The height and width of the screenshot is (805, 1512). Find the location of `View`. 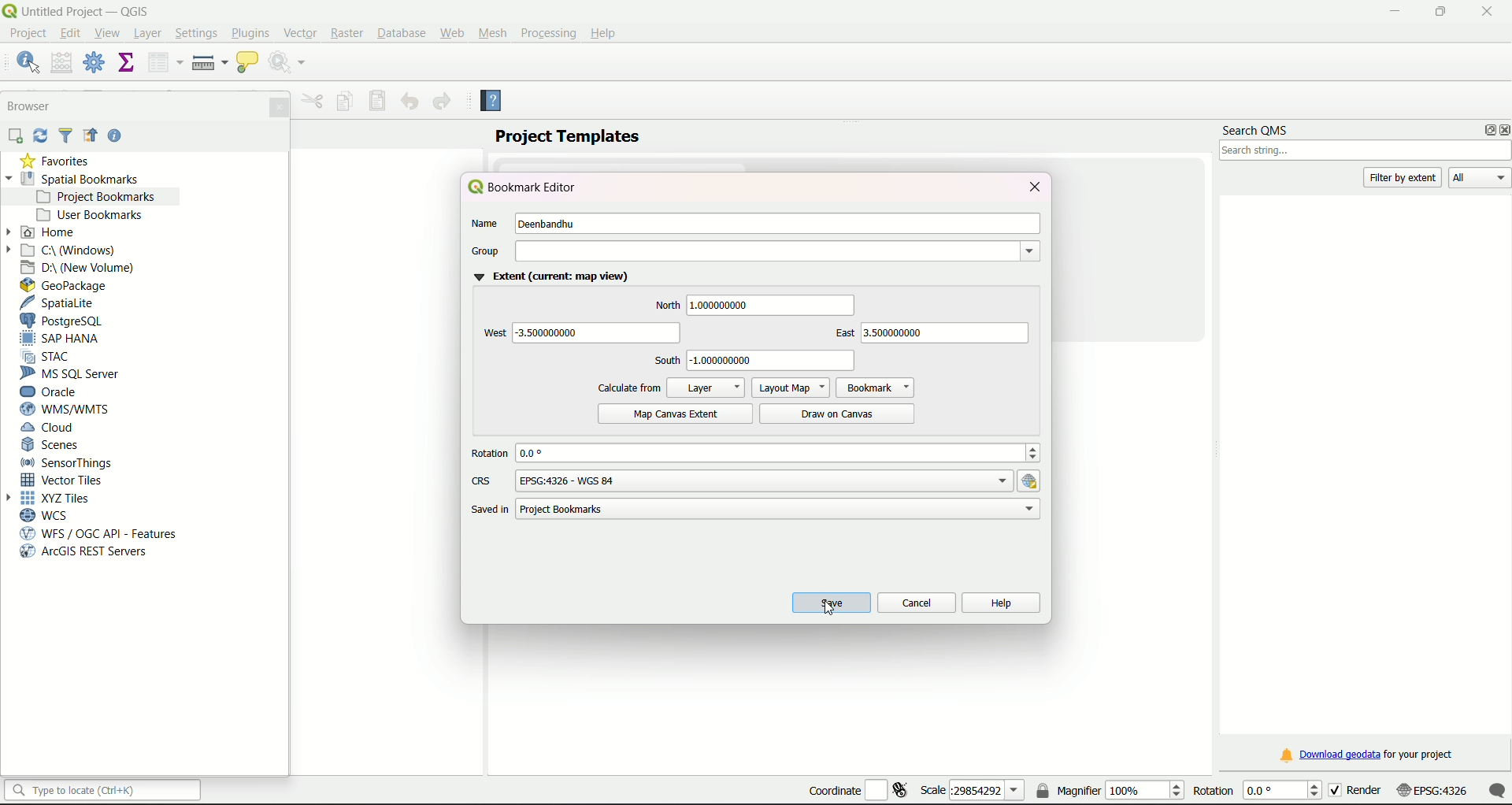

View is located at coordinates (109, 35).